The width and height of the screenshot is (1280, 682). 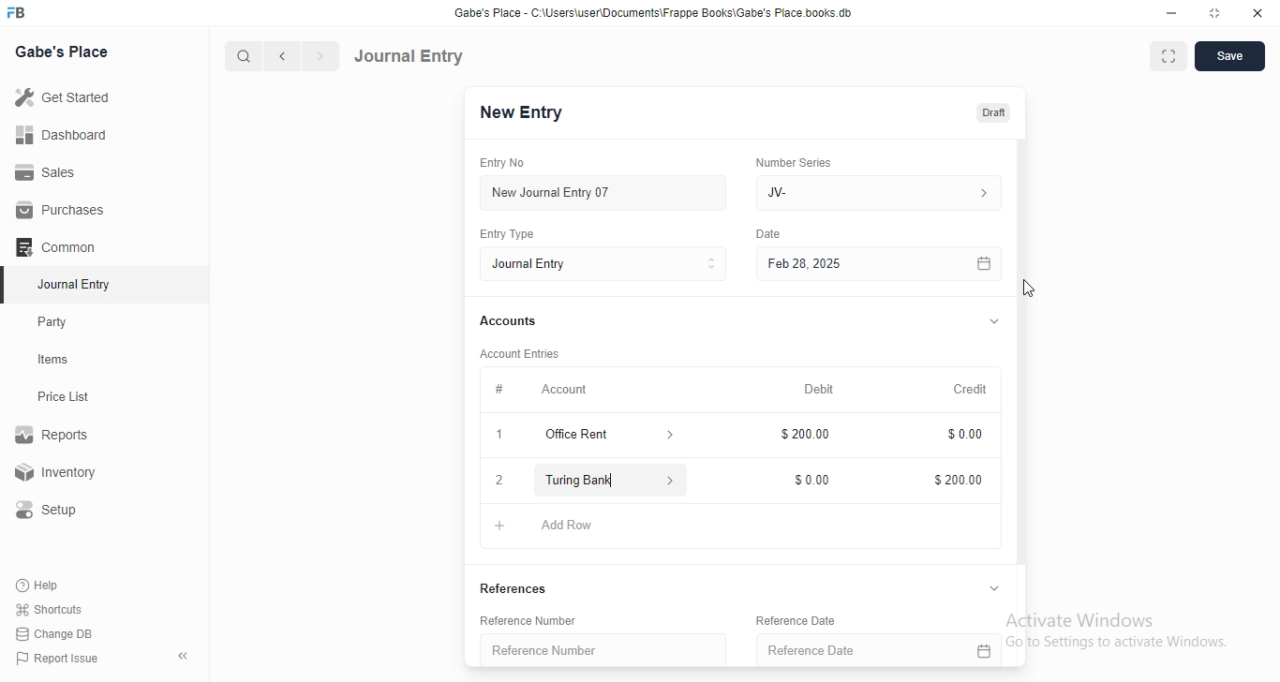 I want to click on fullscreen, so click(x=1166, y=57).